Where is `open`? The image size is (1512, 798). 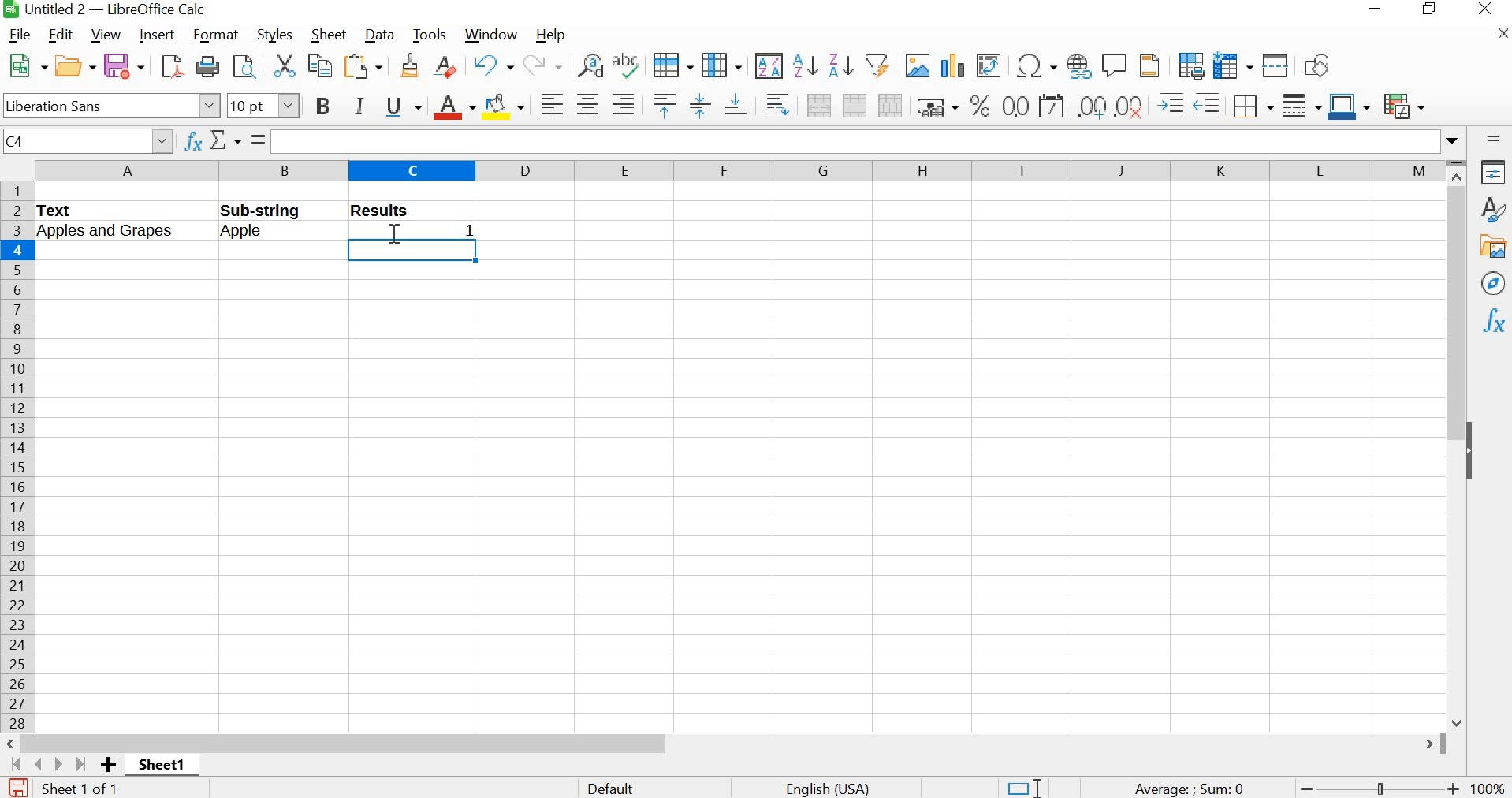 open is located at coordinates (74, 63).